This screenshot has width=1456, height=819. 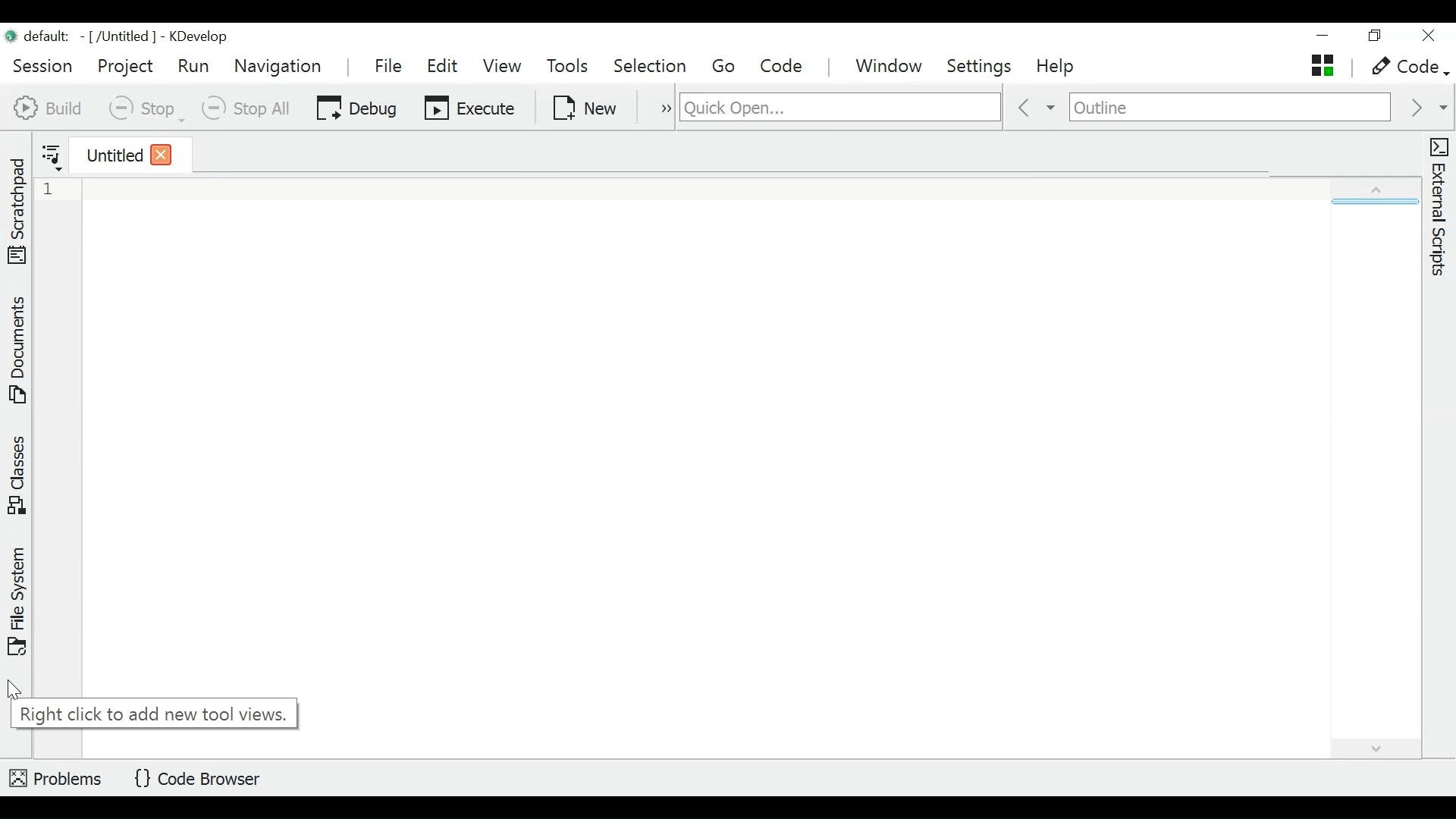 I want to click on Debug, so click(x=357, y=109).